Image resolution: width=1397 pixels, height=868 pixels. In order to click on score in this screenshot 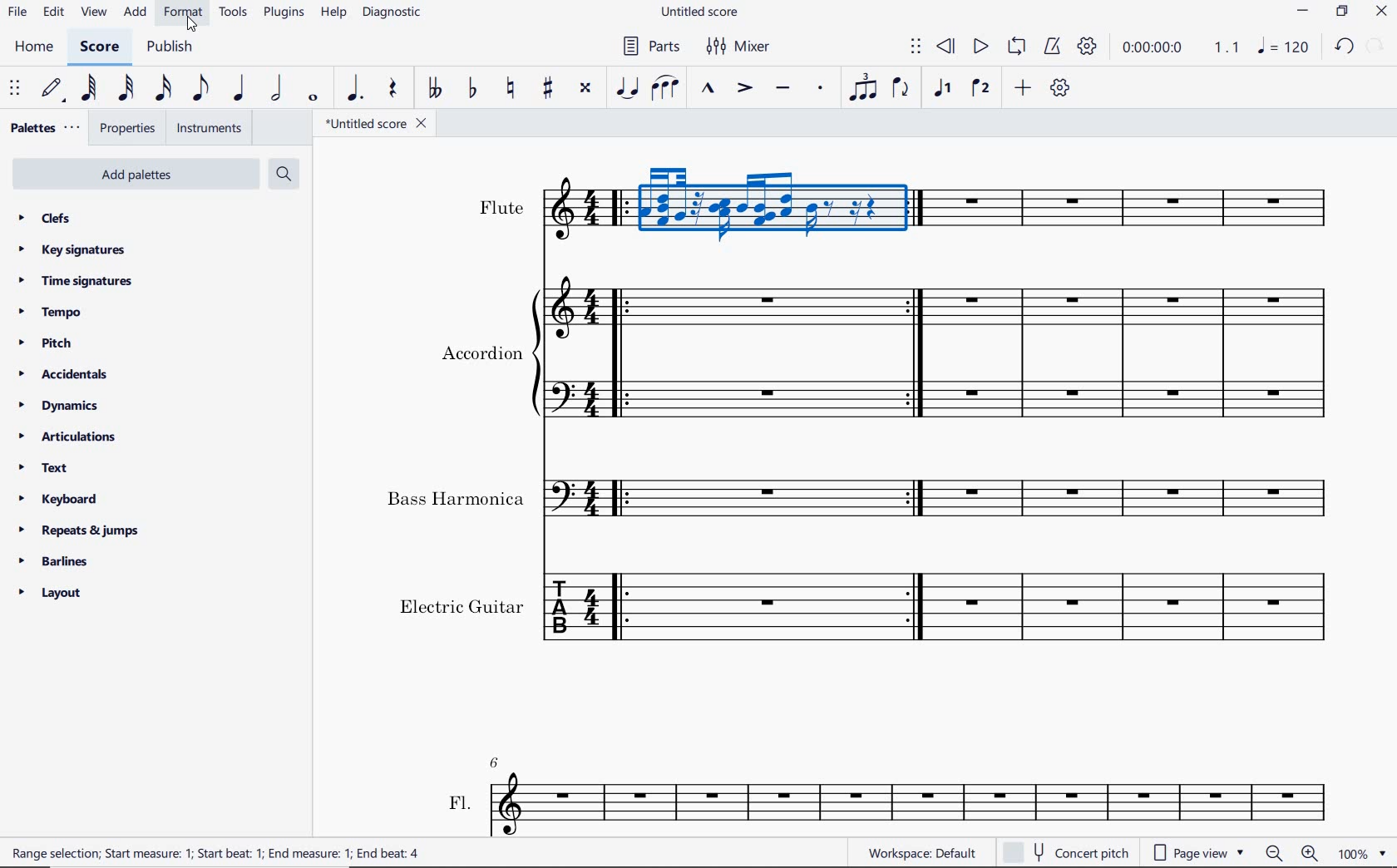, I will do `click(98, 48)`.